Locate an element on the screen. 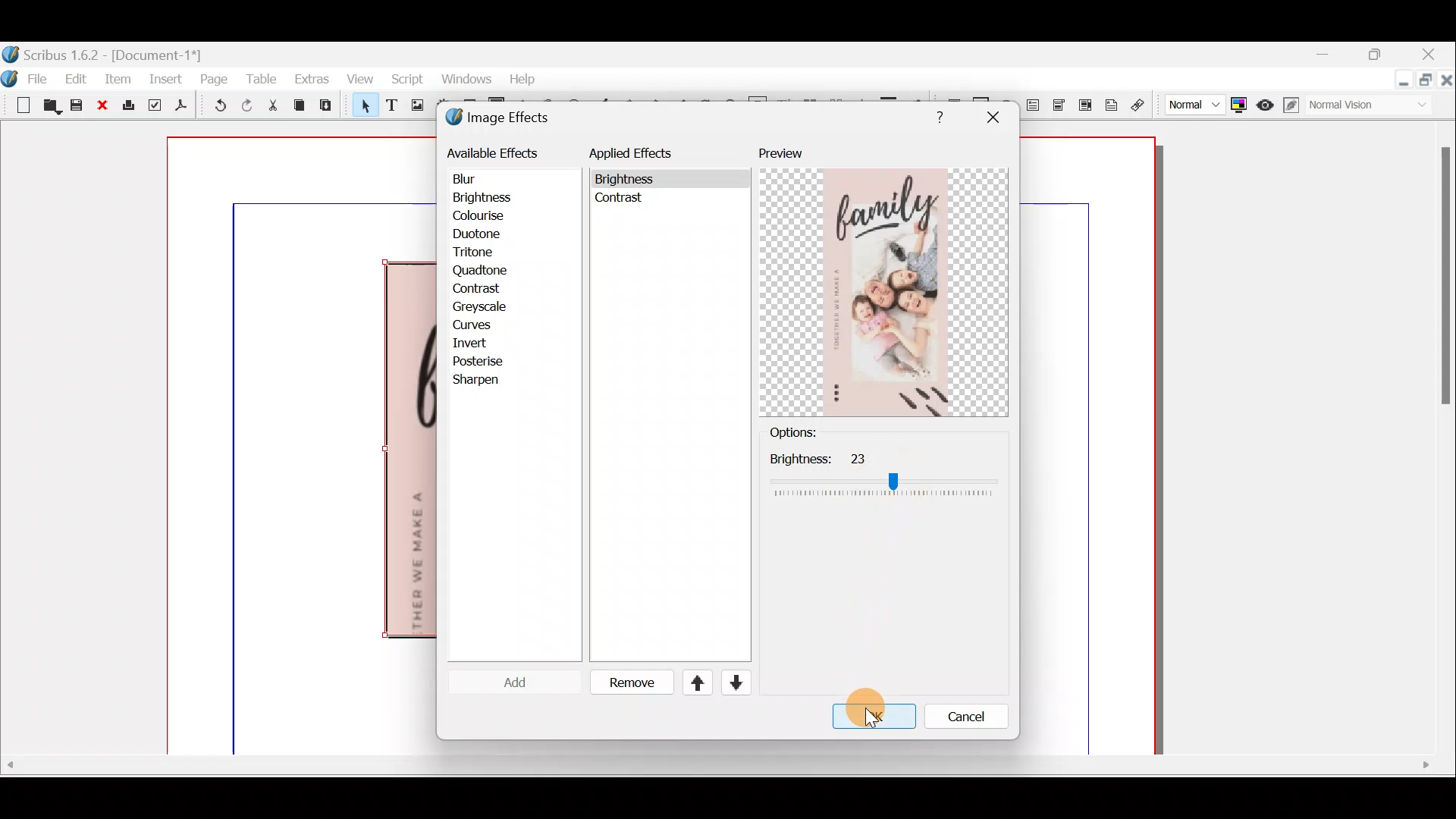  Item is located at coordinates (118, 78).